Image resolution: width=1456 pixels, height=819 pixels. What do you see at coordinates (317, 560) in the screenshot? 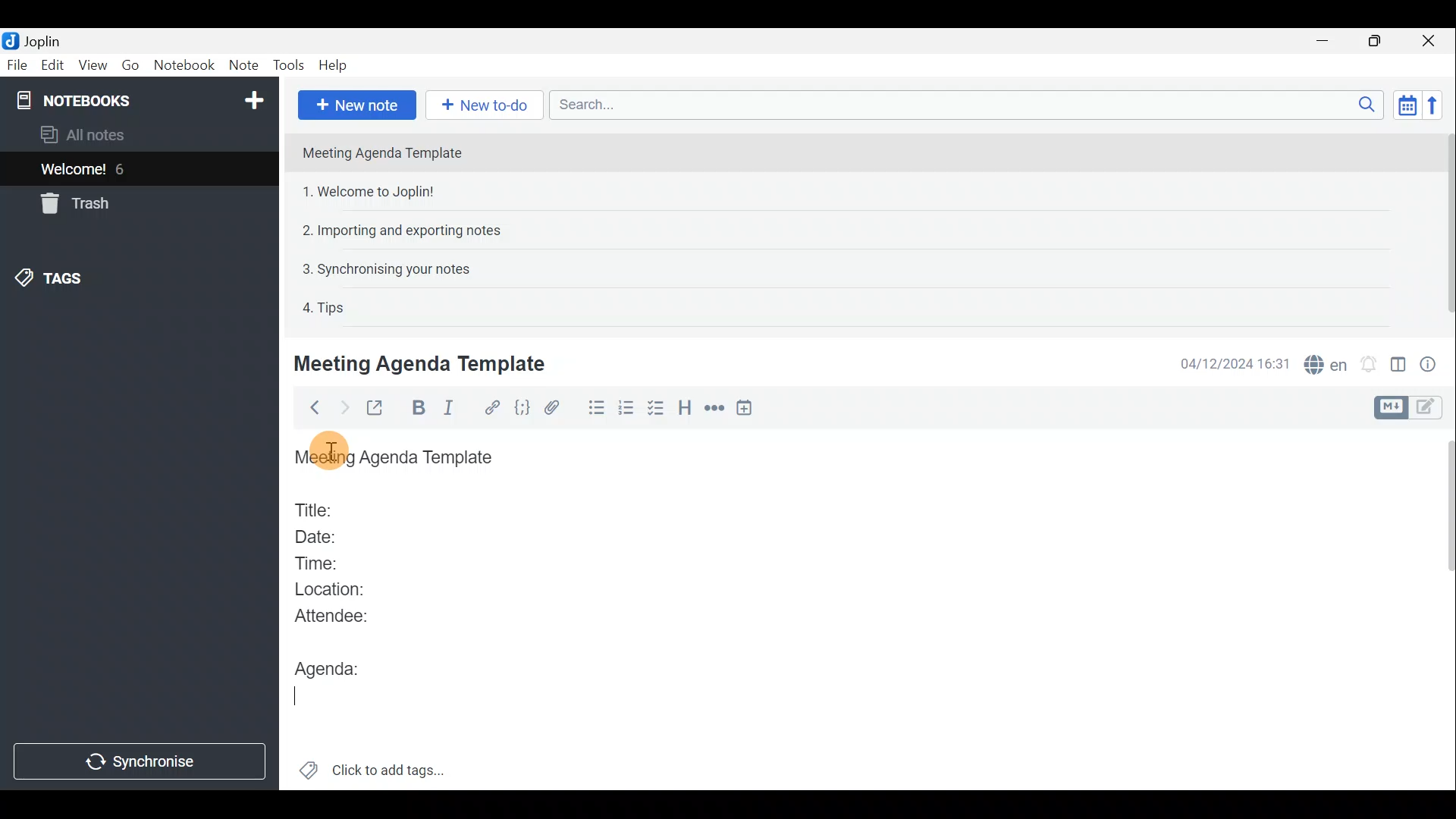
I see `Time:` at bounding box center [317, 560].